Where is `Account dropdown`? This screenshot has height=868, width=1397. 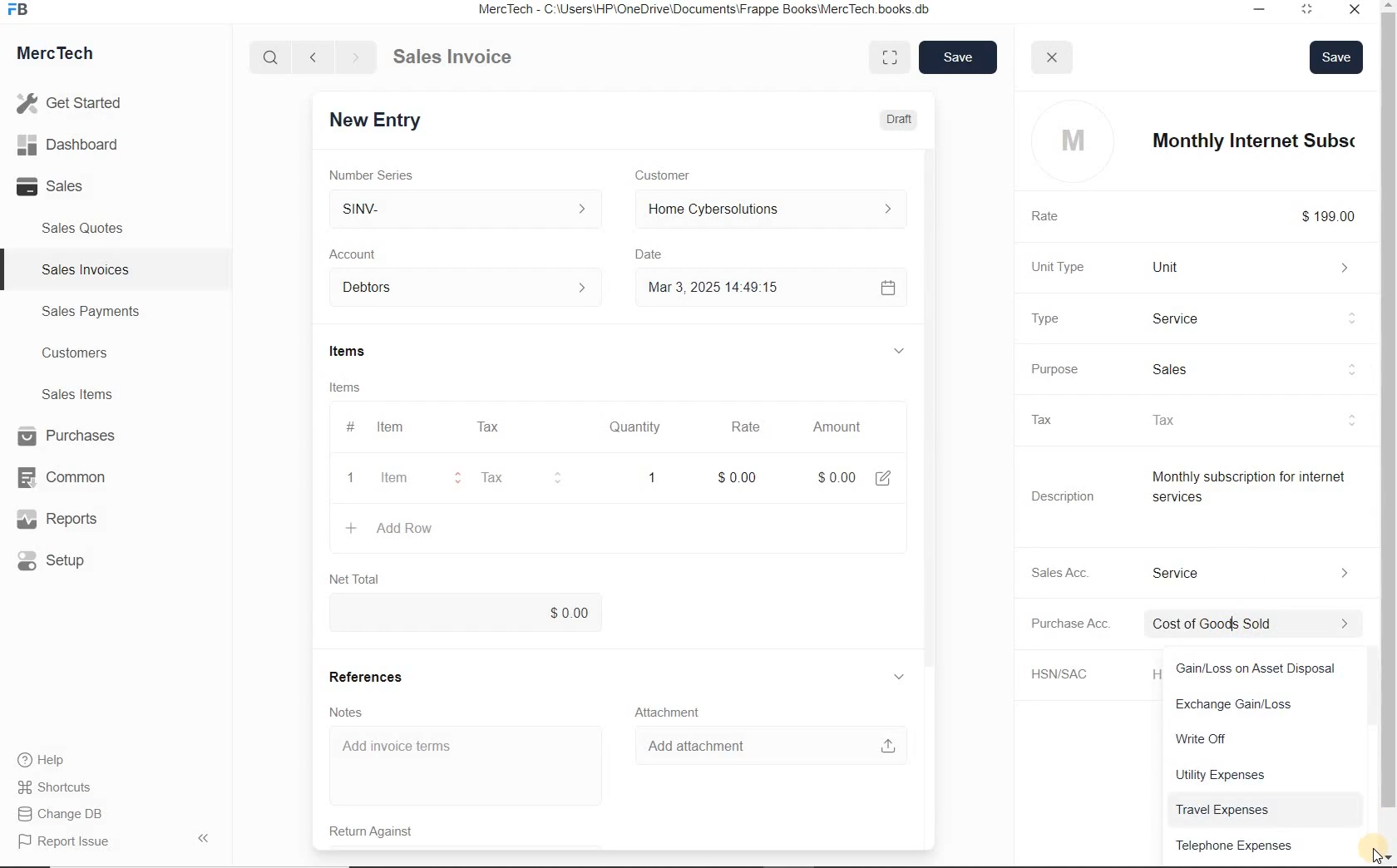
Account dropdown is located at coordinates (474, 289).